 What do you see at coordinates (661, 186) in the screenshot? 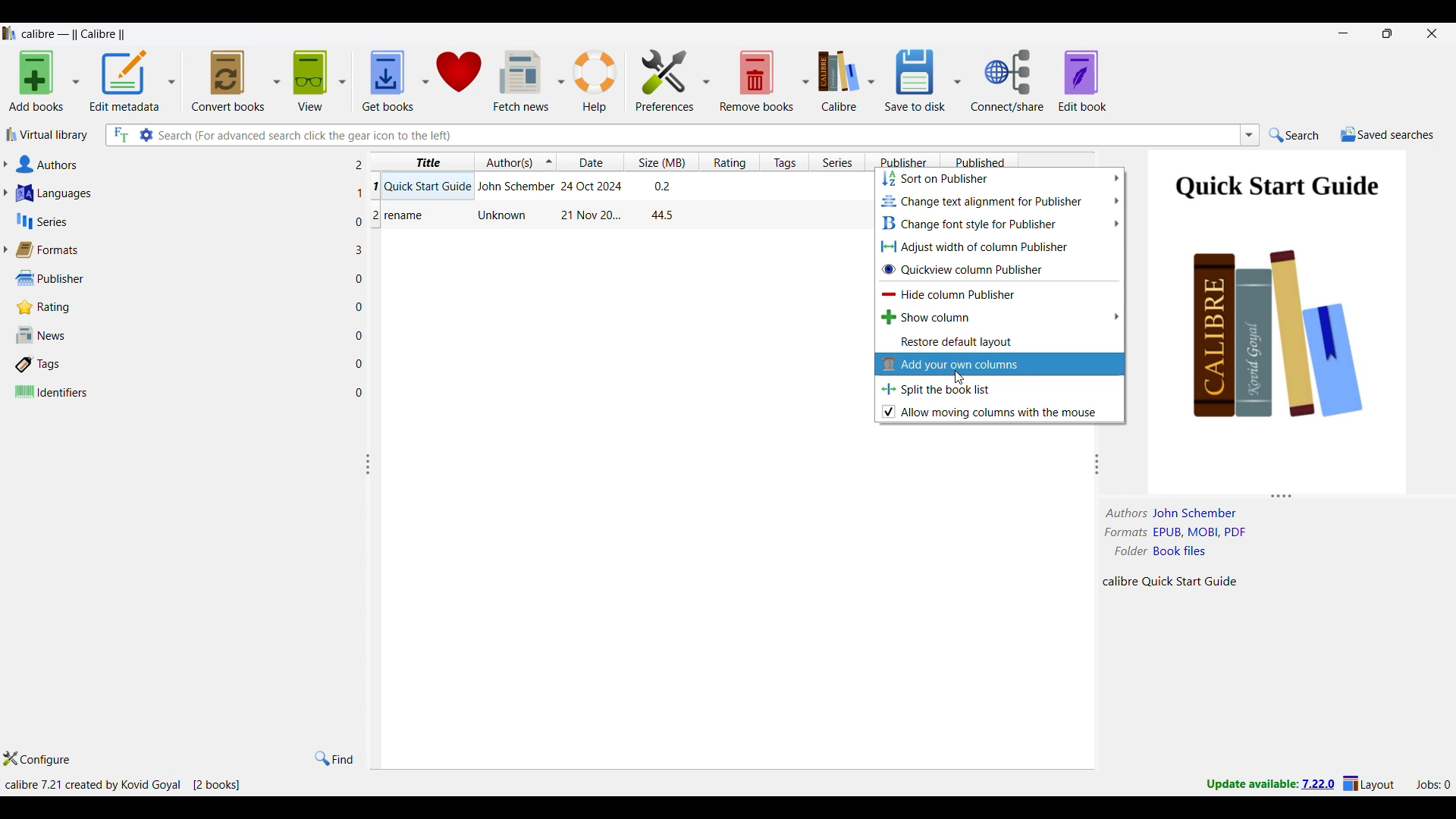
I see `0.2` at bounding box center [661, 186].